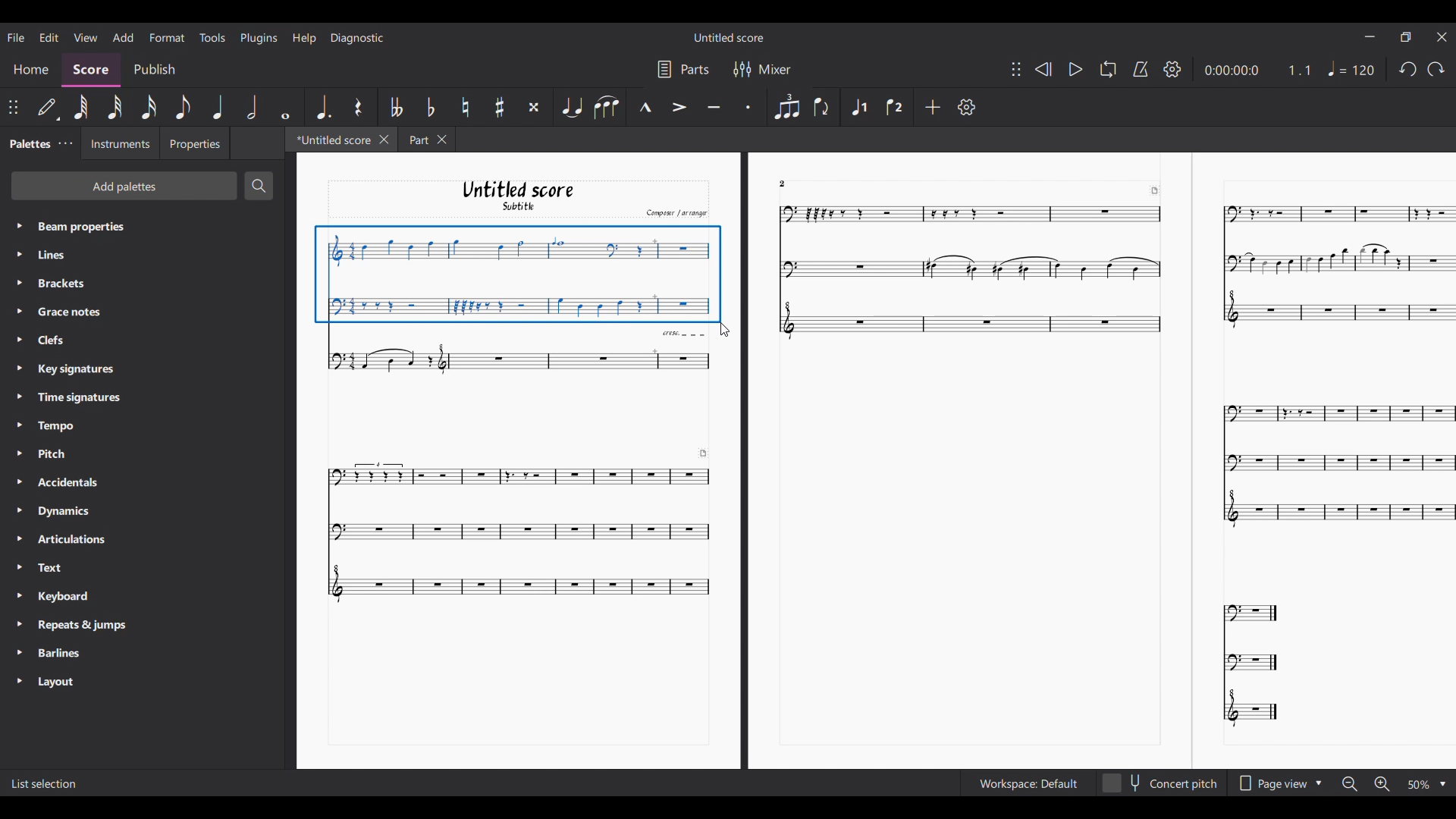 This screenshot has width=1456, height=819. Describe the element at coordinates (893, 107) in the screenshot. I see `Voice 2` at that location.